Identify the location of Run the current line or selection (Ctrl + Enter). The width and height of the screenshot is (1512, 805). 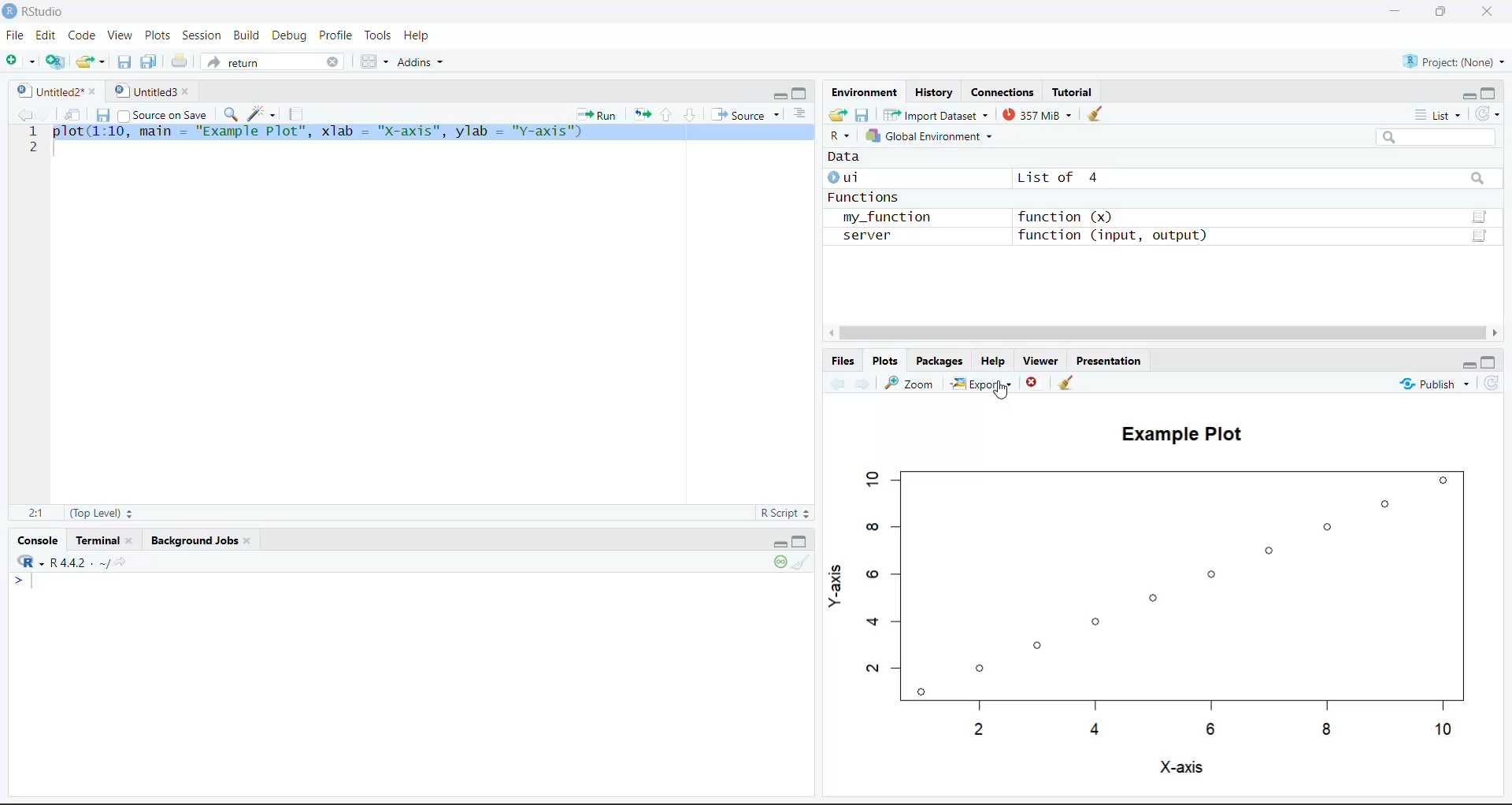
(596, 113).